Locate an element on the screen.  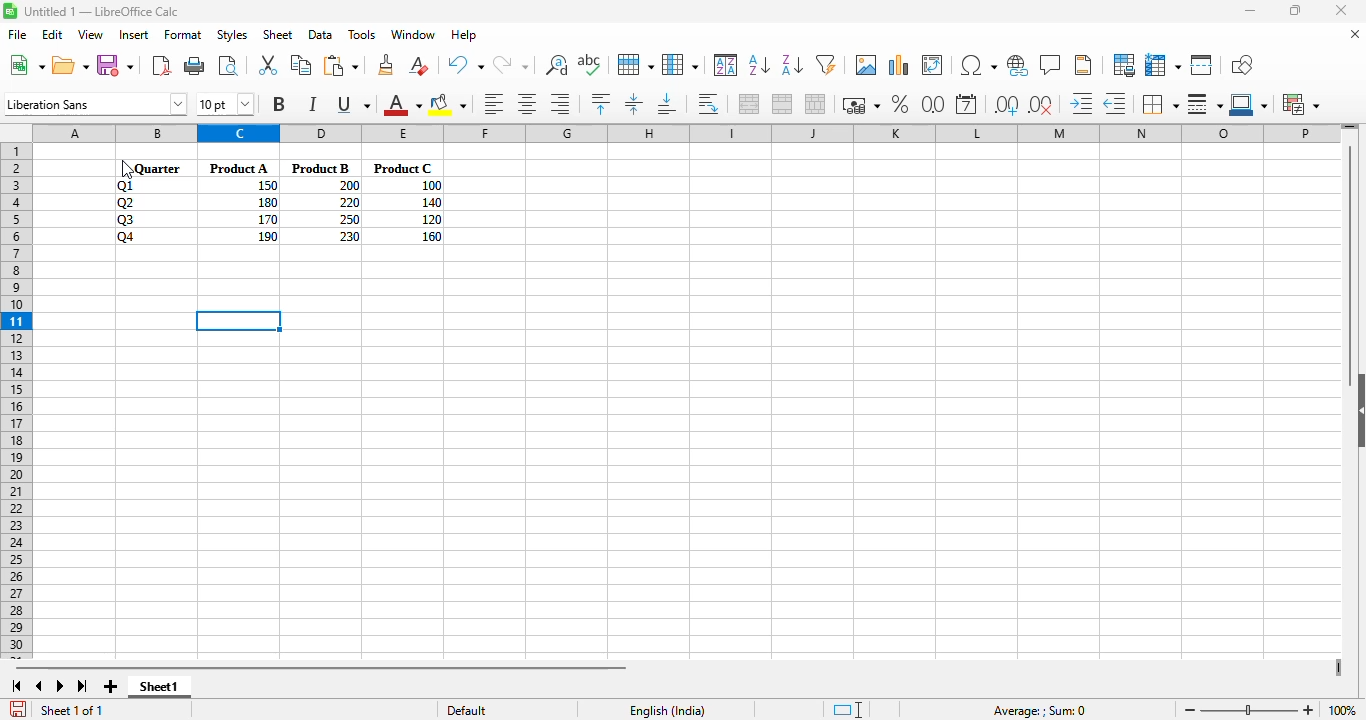
Vertical slide bar is located at coordinates (1350, 255).